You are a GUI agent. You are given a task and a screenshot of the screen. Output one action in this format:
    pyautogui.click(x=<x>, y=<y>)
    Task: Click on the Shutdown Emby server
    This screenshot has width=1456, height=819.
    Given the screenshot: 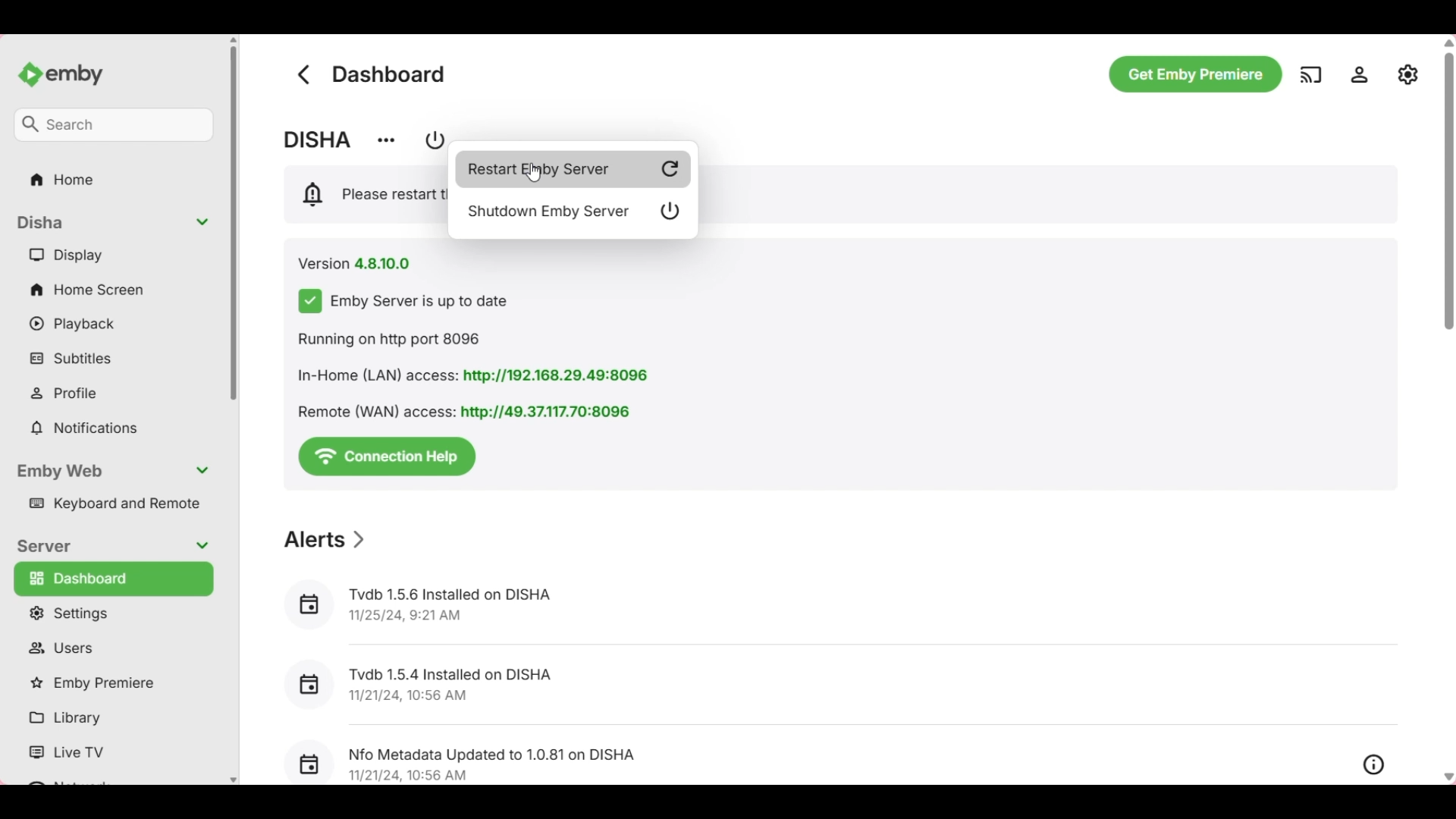 What is the action you would take?
    pyautogui.click(x=573, y=212)
    